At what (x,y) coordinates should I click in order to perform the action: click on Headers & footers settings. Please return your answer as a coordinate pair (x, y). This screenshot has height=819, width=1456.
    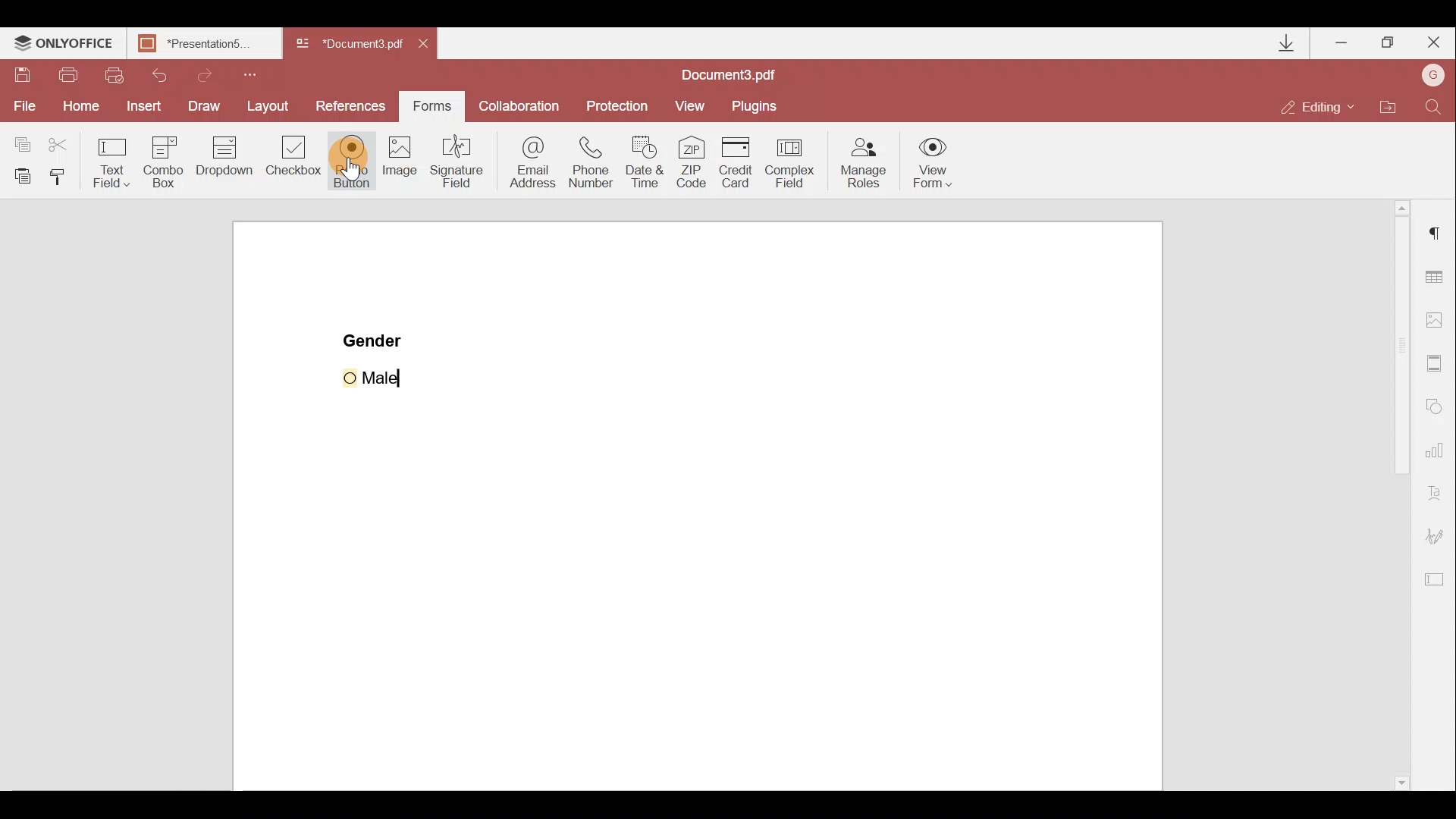
    Looking at the image, I should click on (1436, 366).